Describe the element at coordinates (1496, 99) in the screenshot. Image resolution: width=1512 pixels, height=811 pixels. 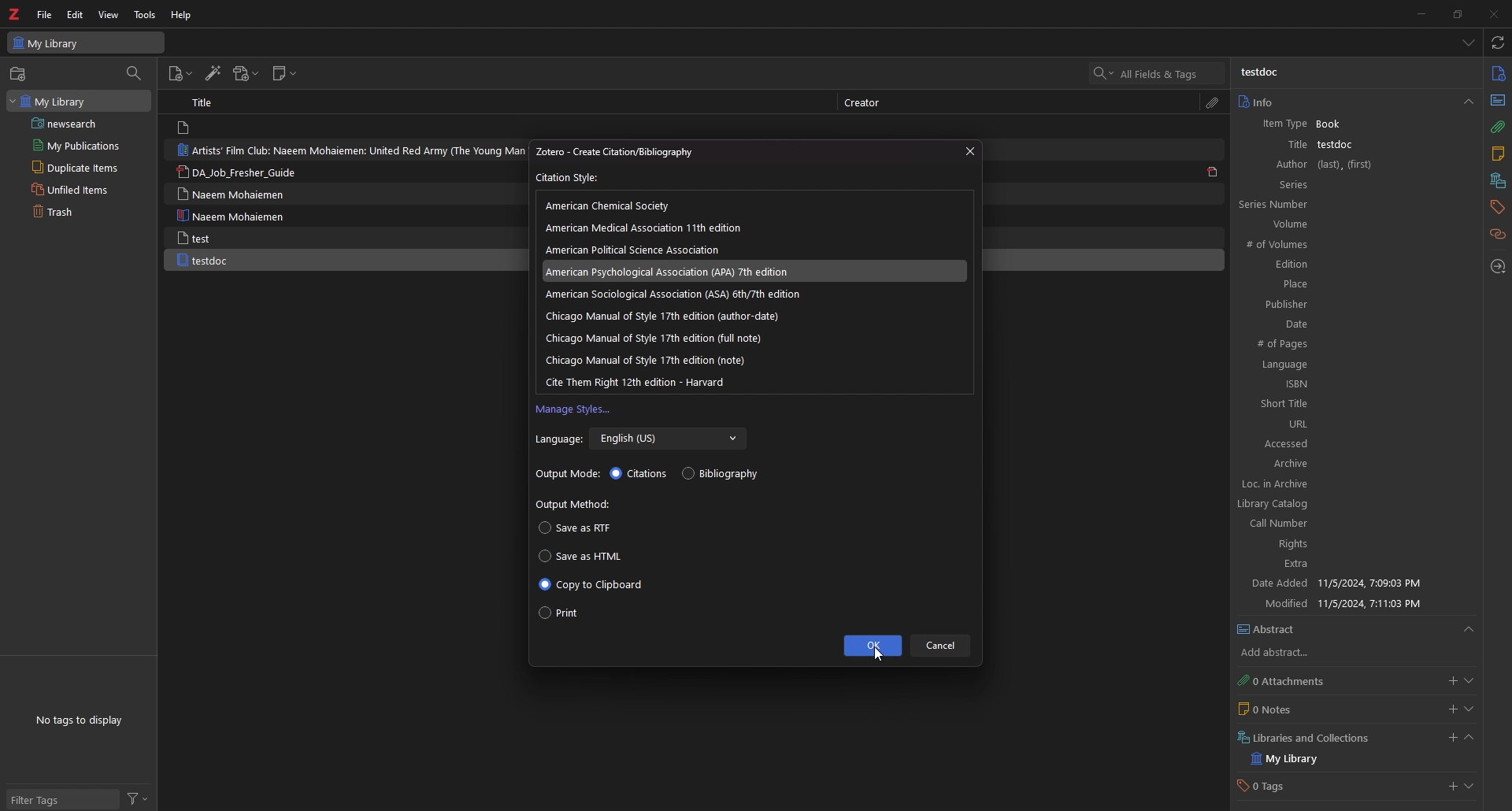
I see `abstract` at that location.